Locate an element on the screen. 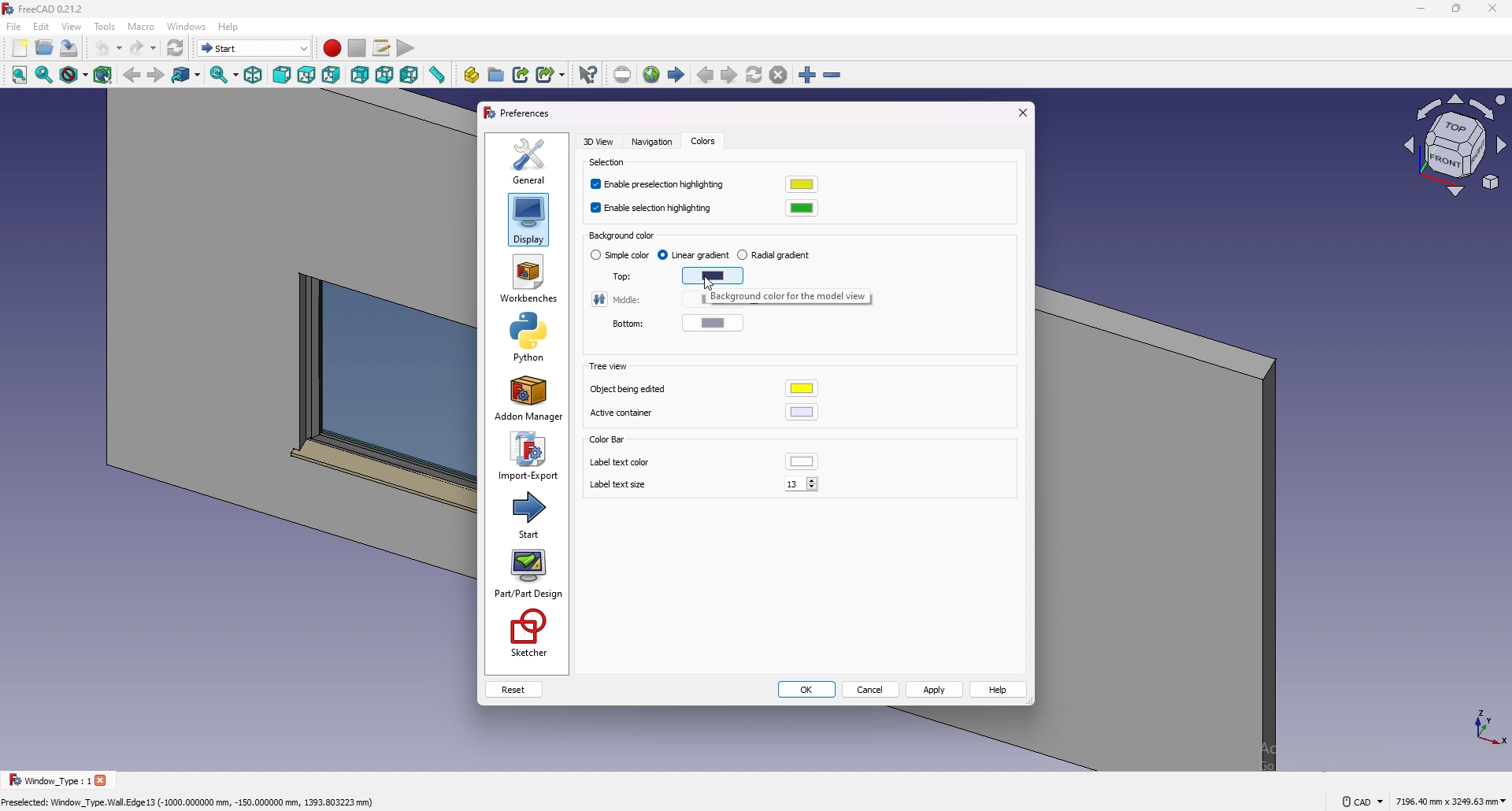 Image resolution: width=1512 pixels, height=811 pixels. Background color for the model view is located at coordinates (787, 298).